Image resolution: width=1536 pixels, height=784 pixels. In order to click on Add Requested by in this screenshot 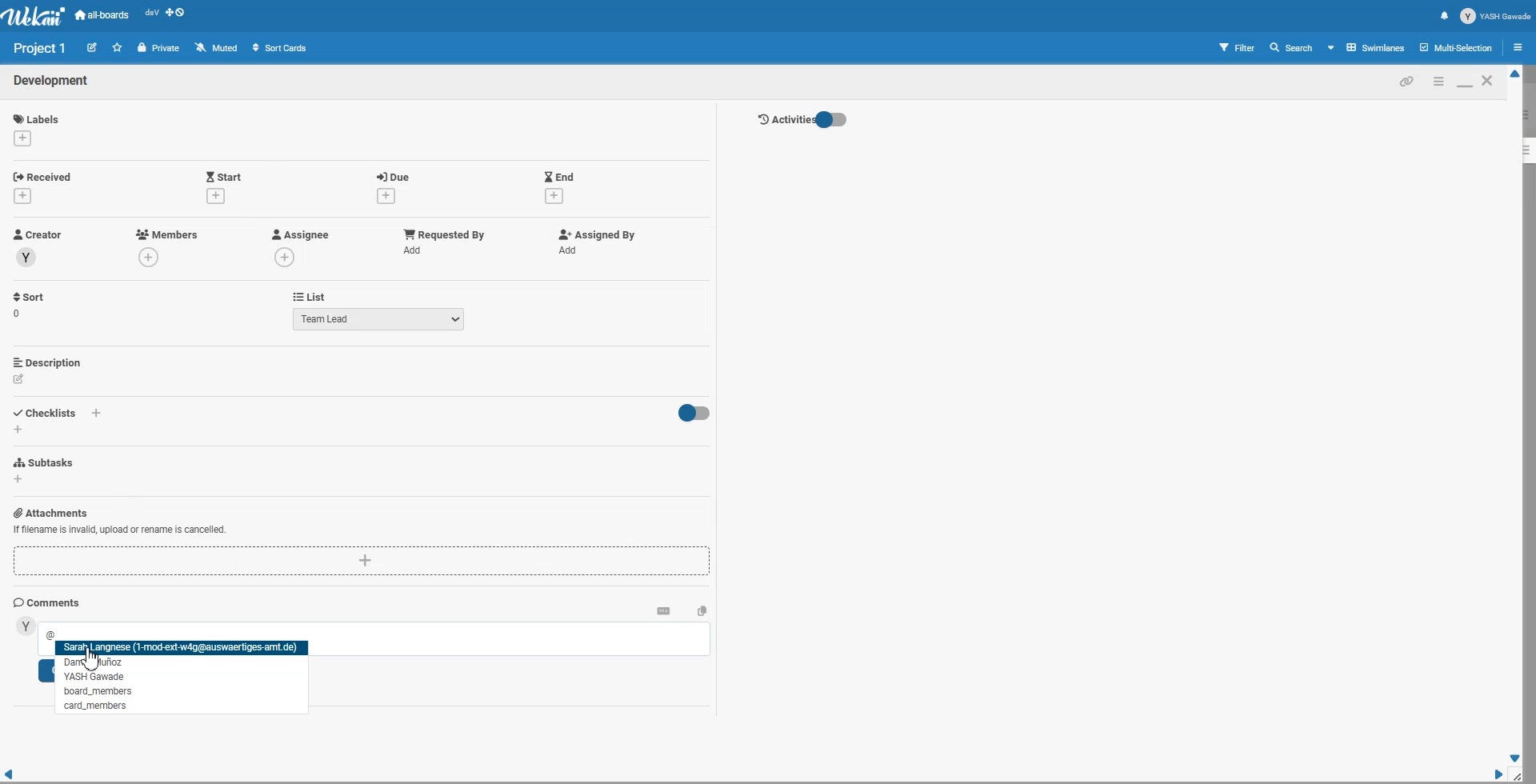, I will do `click(445, 233)`.